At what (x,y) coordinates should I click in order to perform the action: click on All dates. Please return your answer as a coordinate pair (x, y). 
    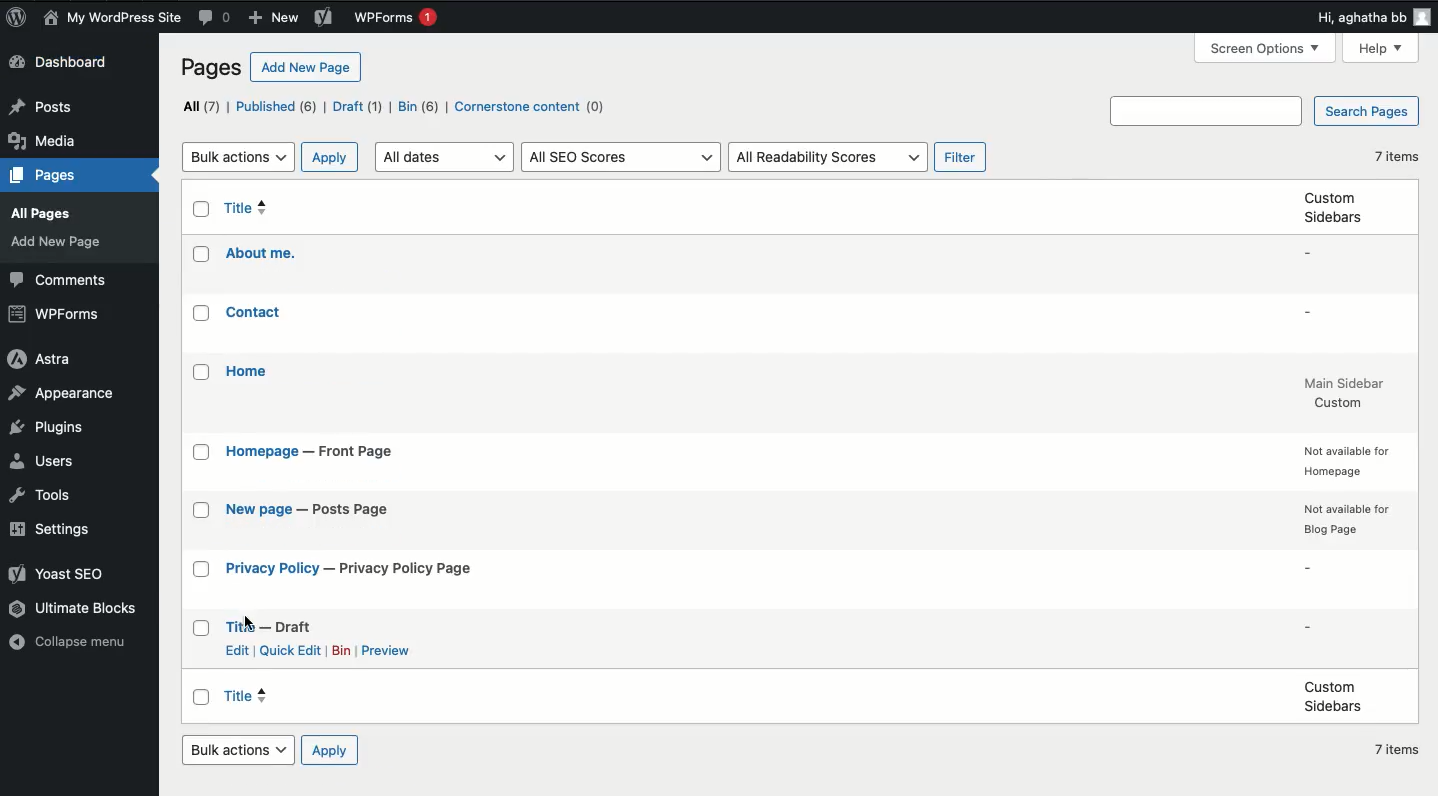
    Looking at the image, I should click on (447, 157).